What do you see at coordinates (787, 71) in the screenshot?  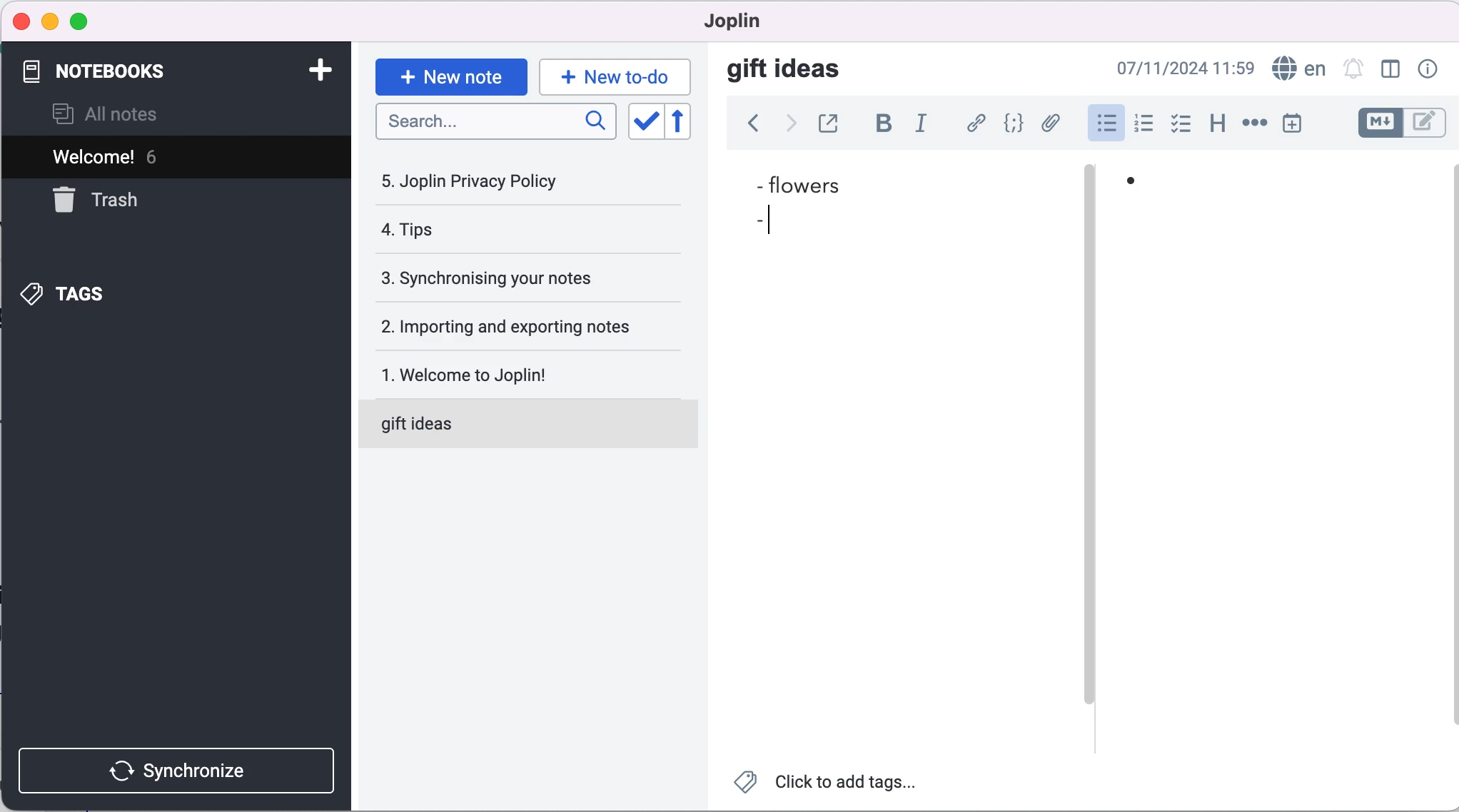 I see `gift ideas` at bounding box center [787, 71].